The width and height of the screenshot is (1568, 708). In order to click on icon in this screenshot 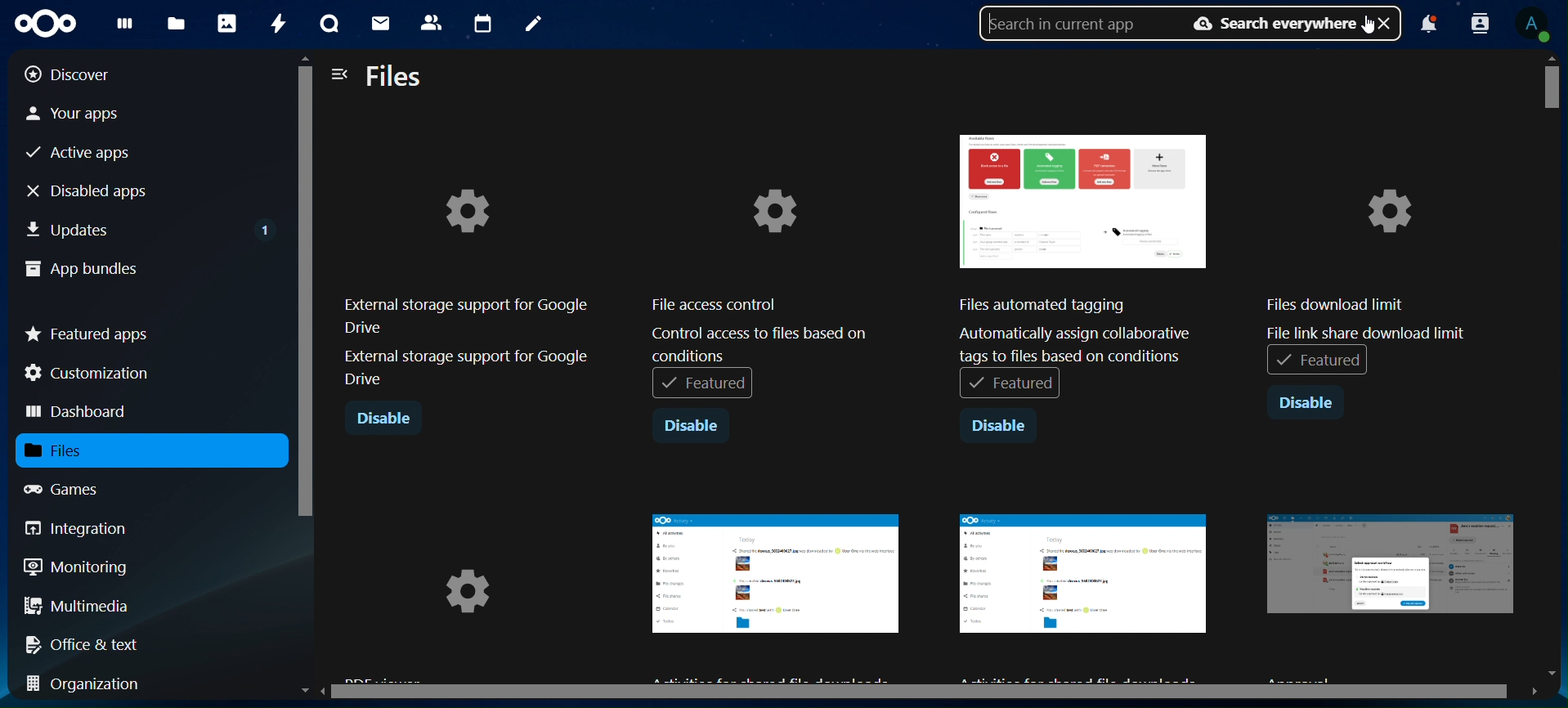, I will do `click(52, 24)`.